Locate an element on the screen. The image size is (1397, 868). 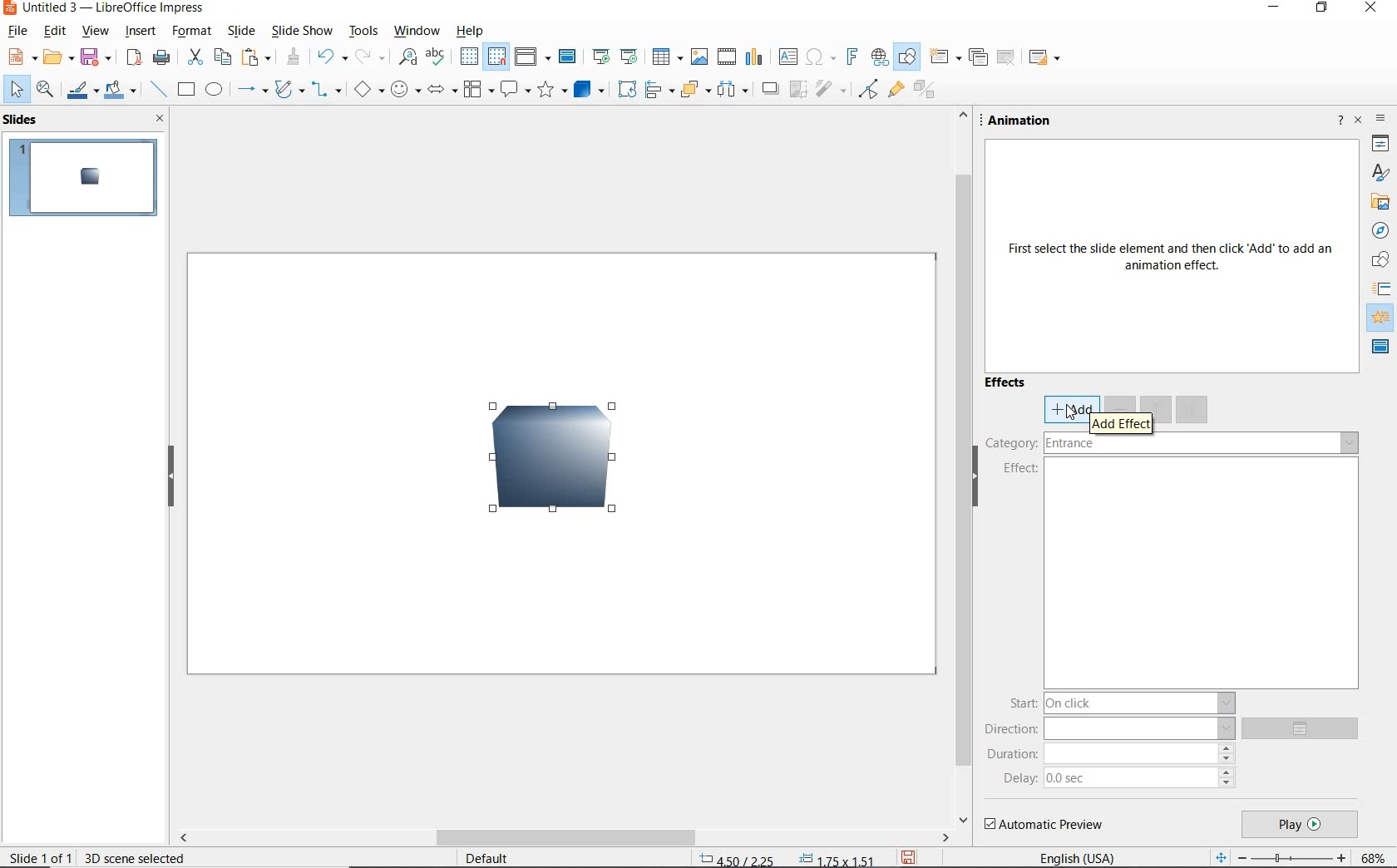
file name is located at coordinates (106, 9).